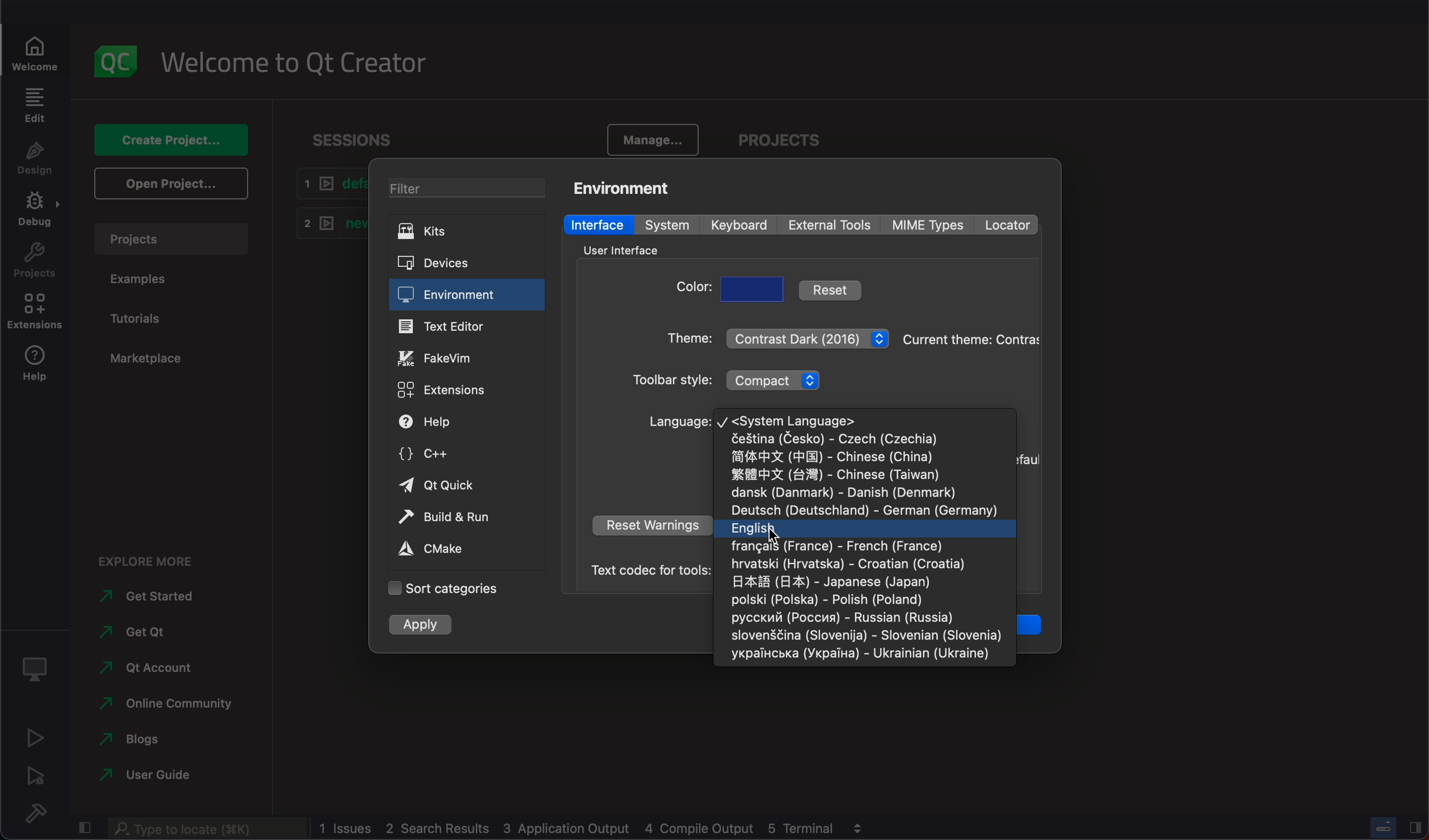  Describe the element at coordinates (856, 828) in the screenshot. I see `view output` at that location.